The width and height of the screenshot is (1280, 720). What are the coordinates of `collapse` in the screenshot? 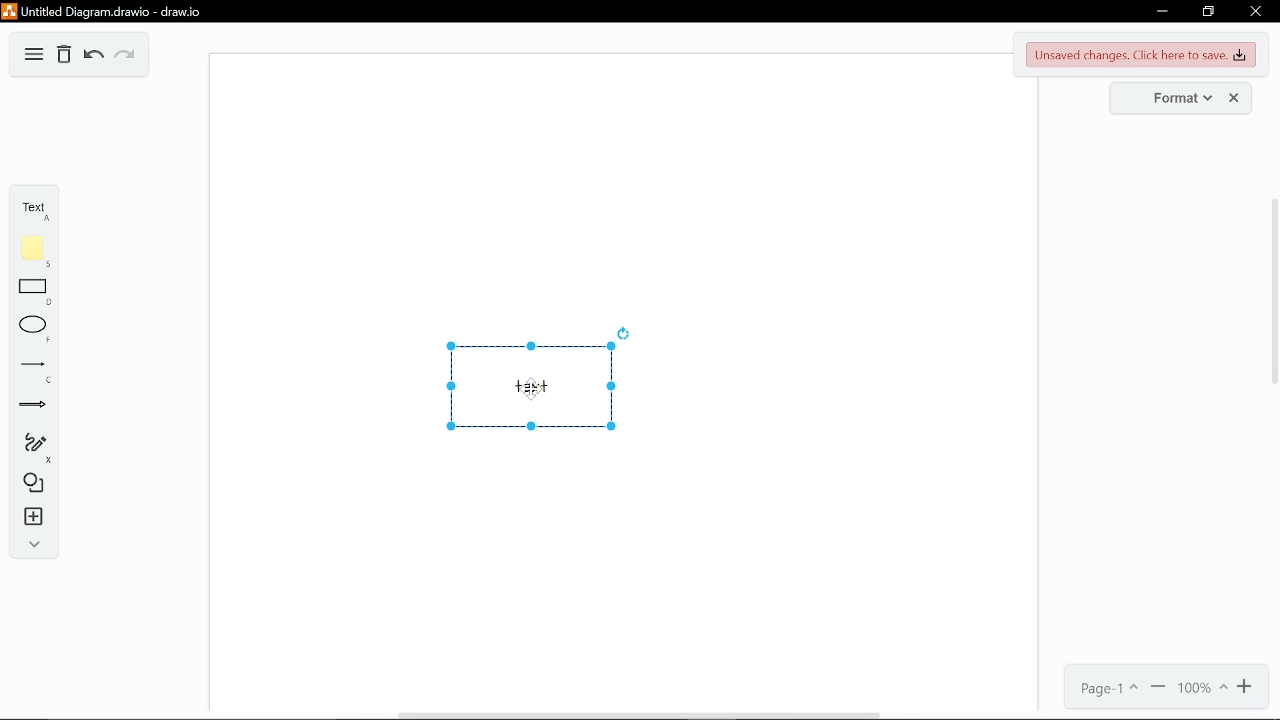 It's located at (30, 545).